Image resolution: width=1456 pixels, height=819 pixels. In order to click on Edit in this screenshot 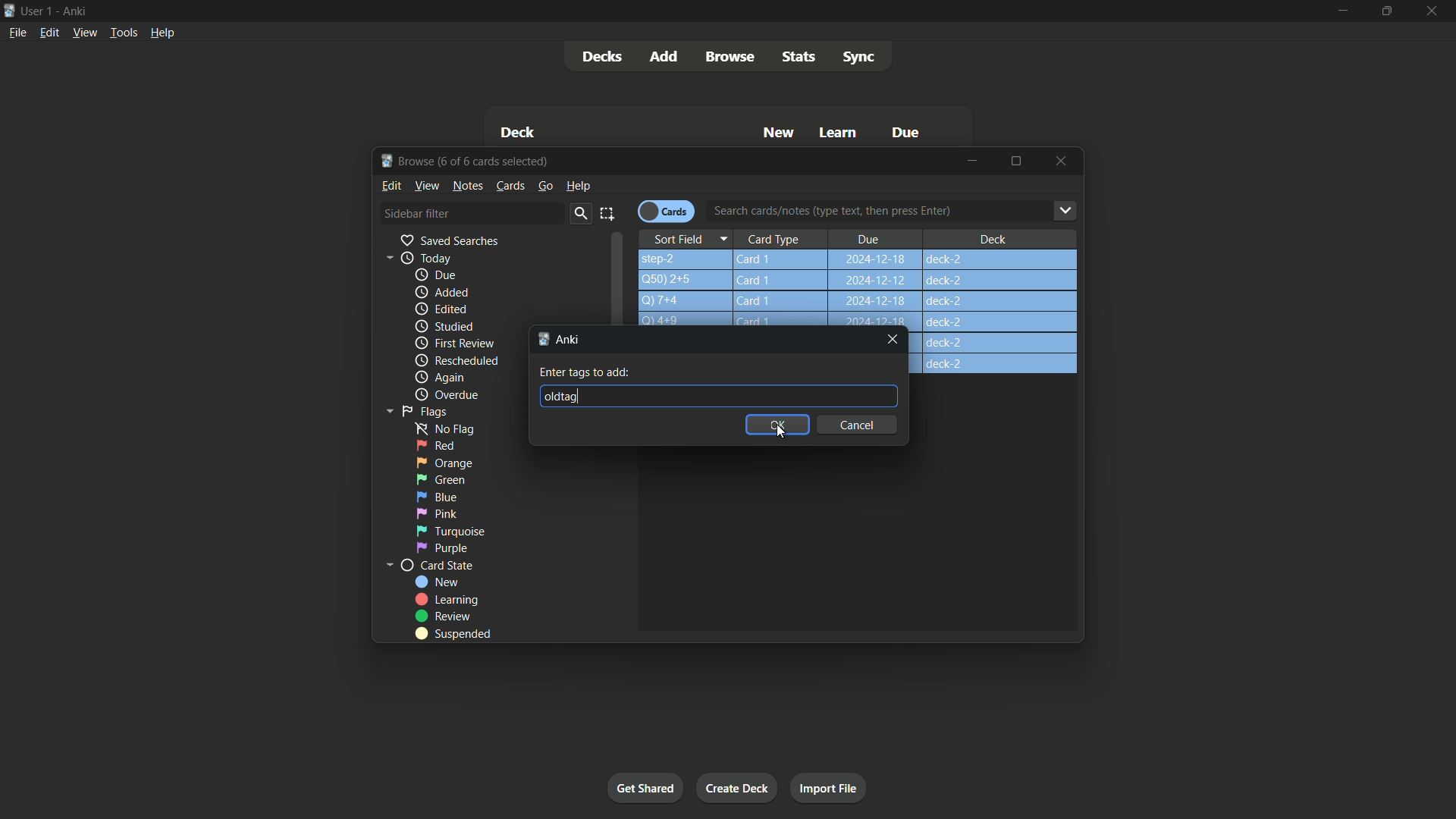, I will do `click(392, 185)`.